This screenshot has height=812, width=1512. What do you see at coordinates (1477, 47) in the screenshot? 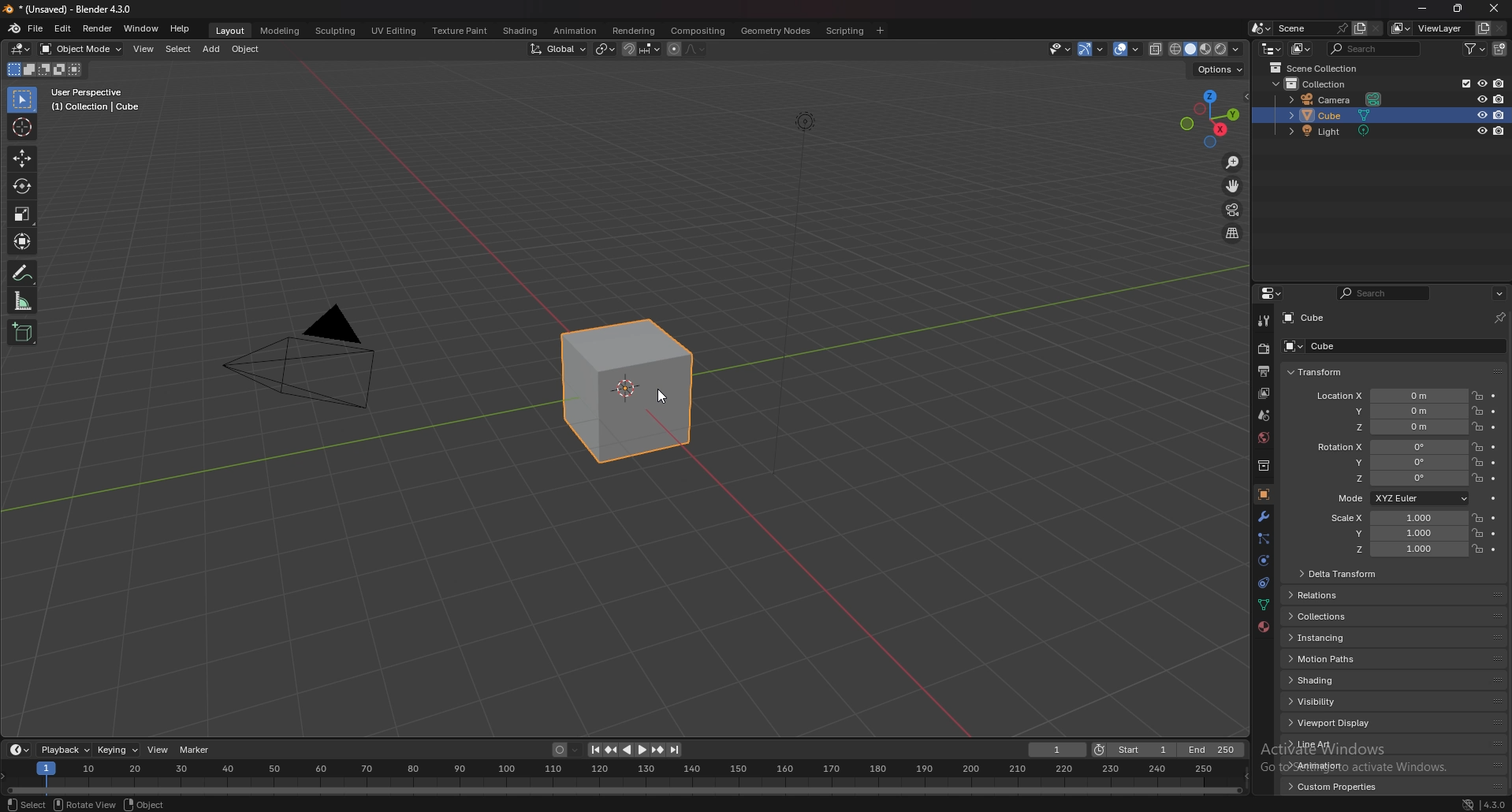
I see `filter` at bounding box center [1477, 47].